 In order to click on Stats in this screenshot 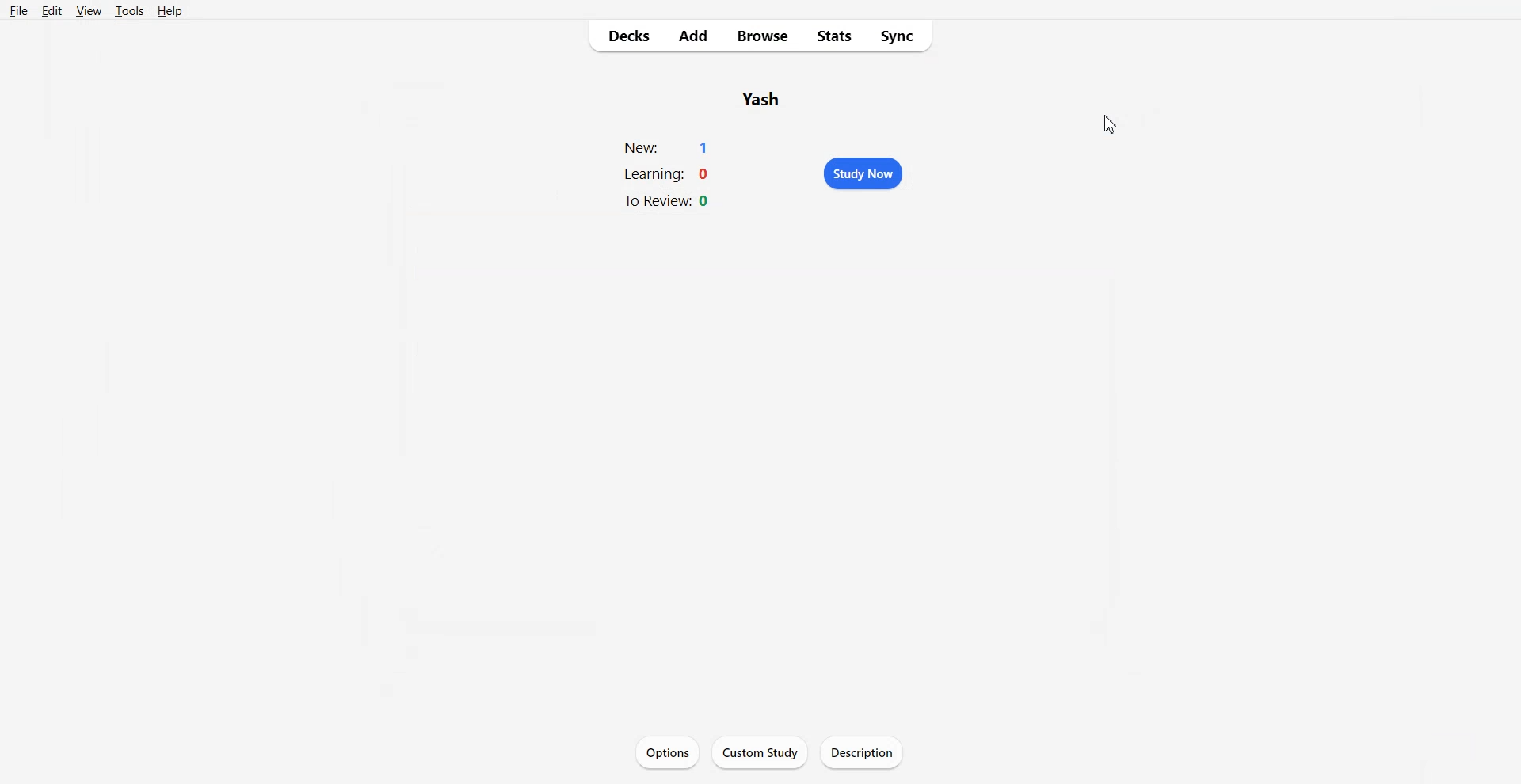, I will do `click(830, 38)`.